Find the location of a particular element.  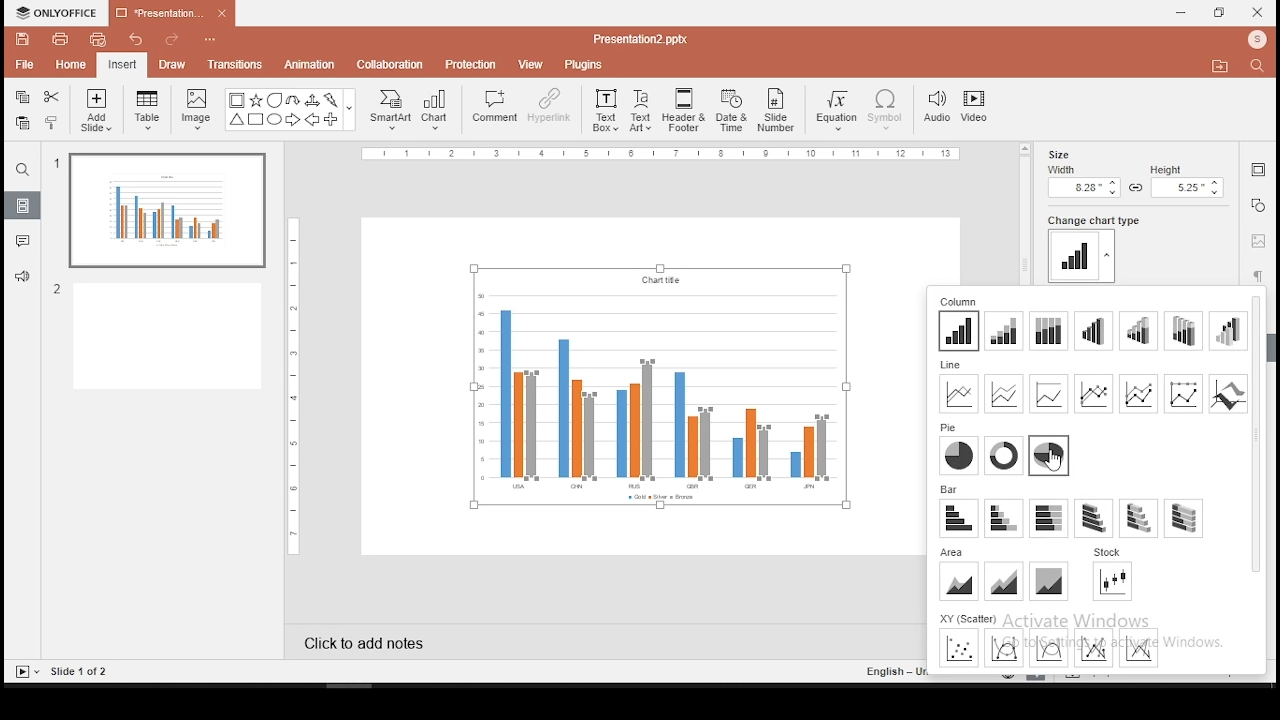

line 6 is located at coordinates (1186, 393).